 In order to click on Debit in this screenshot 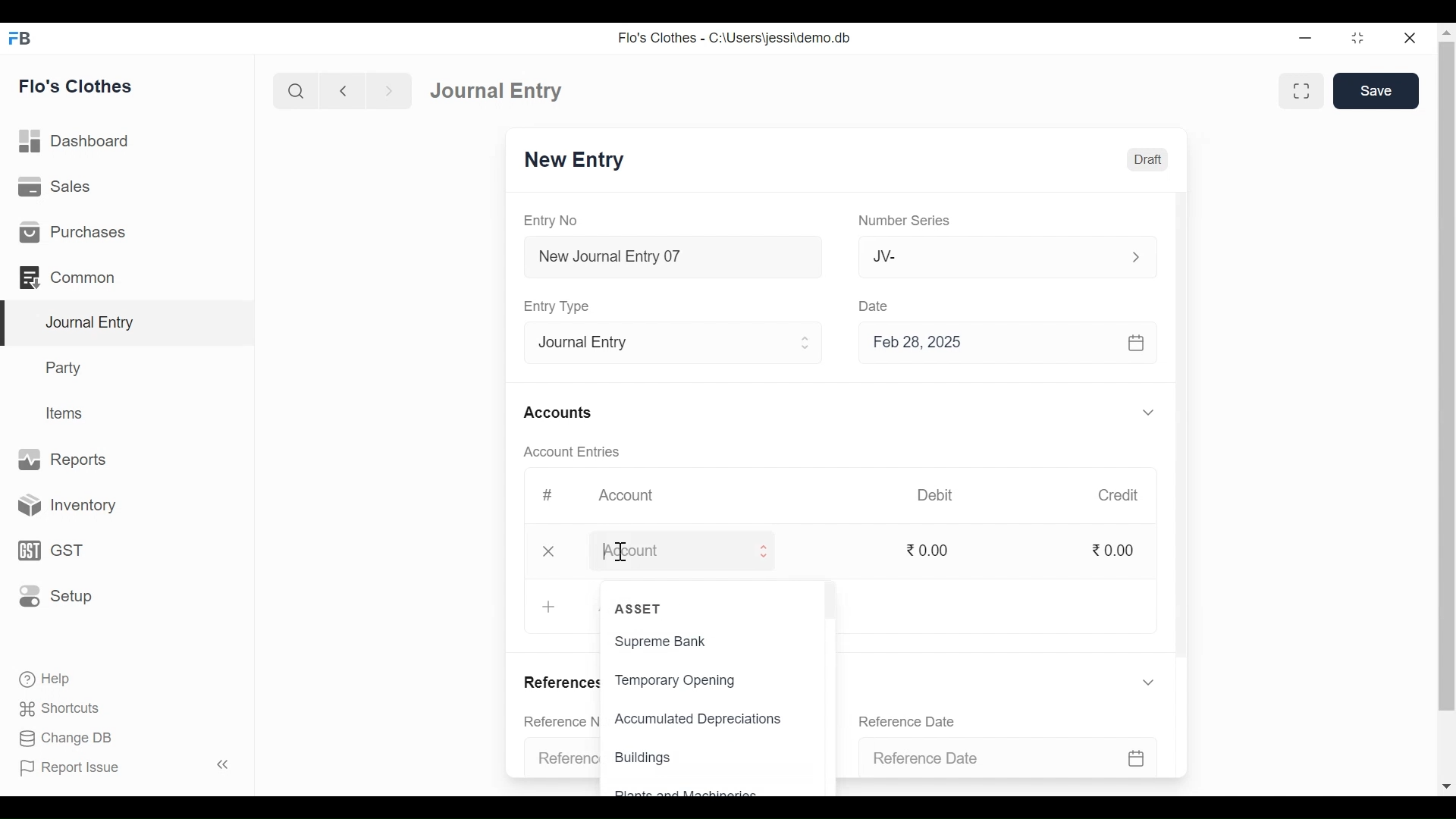, I will do `click(936, 496)`.